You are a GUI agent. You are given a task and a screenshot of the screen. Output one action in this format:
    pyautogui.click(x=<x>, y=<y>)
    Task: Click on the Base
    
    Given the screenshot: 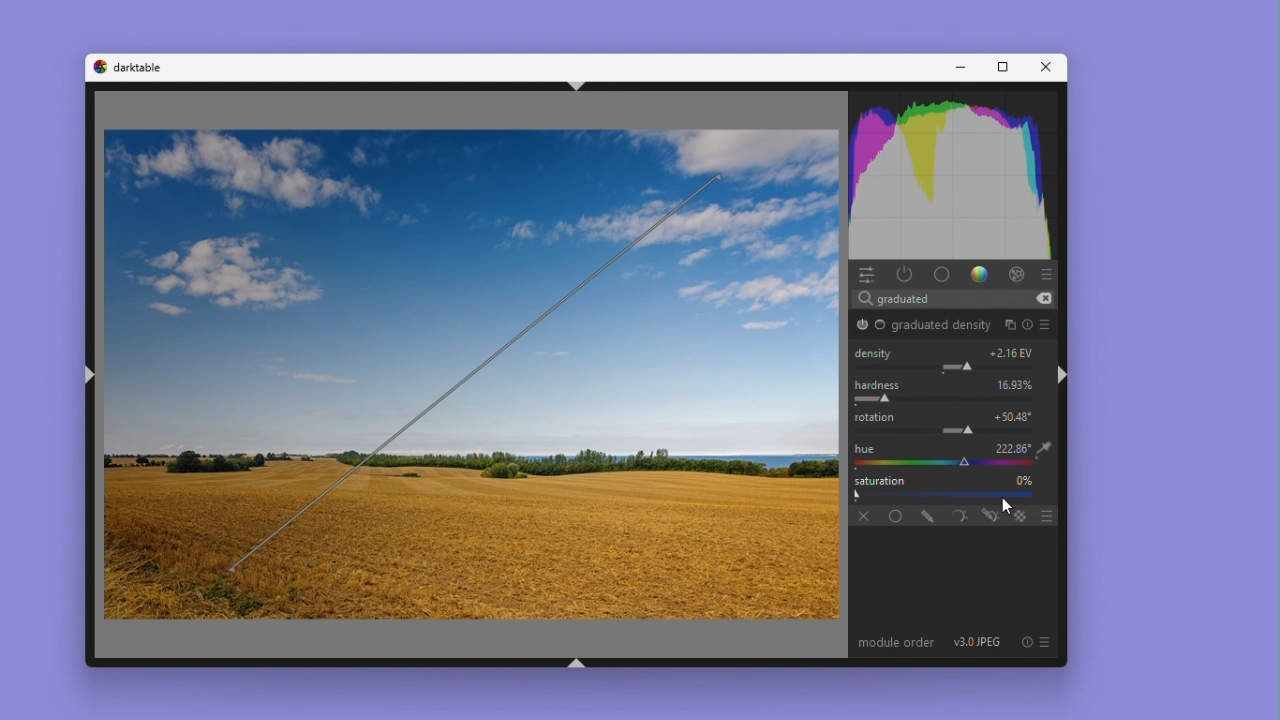 What is the action you would take?
    pyautogui.click(x=881, y=326)
    